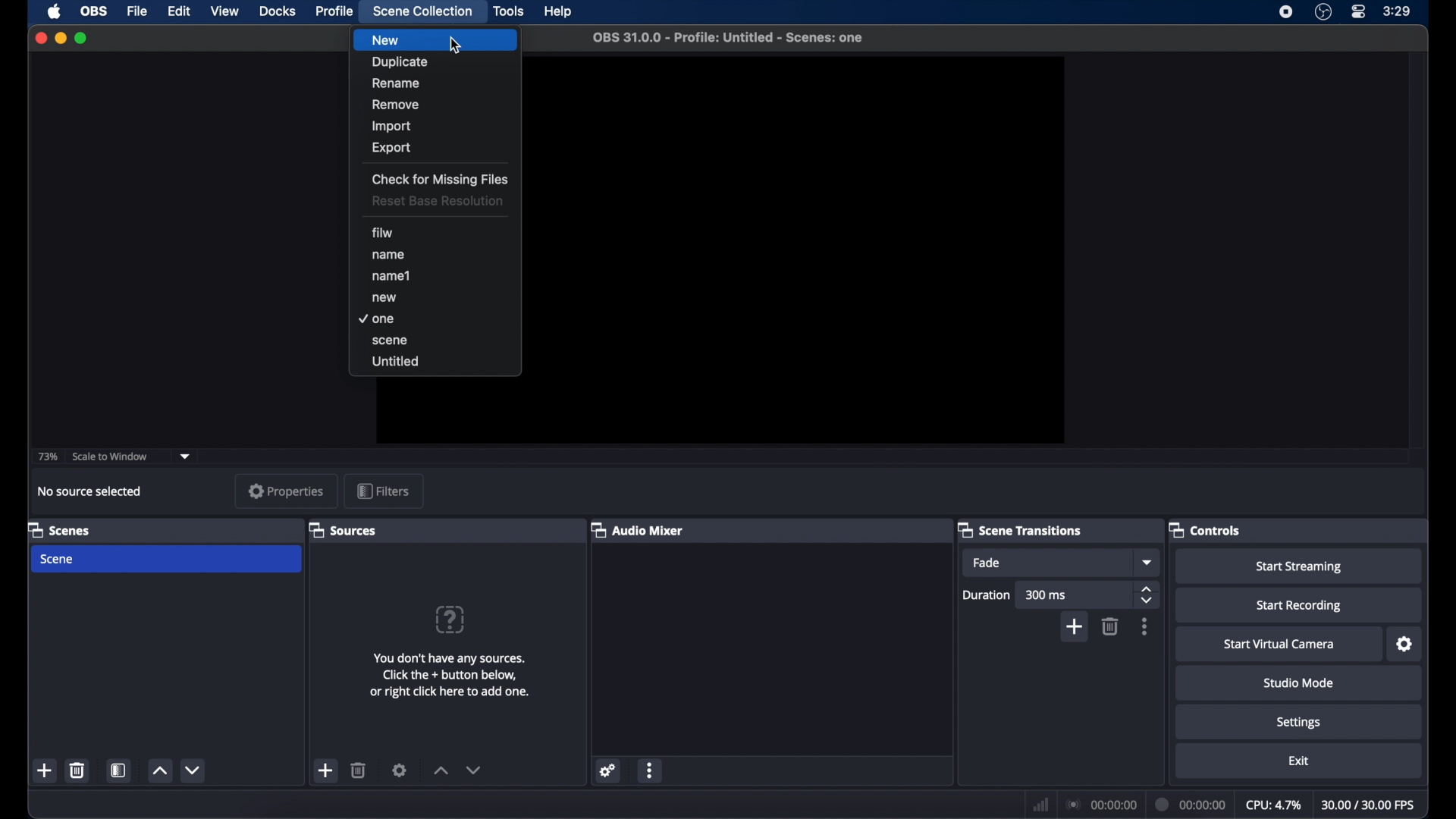 The height and width of the screenshot is (819, 1456). I want to click on 300ms, so click(1046, 595).